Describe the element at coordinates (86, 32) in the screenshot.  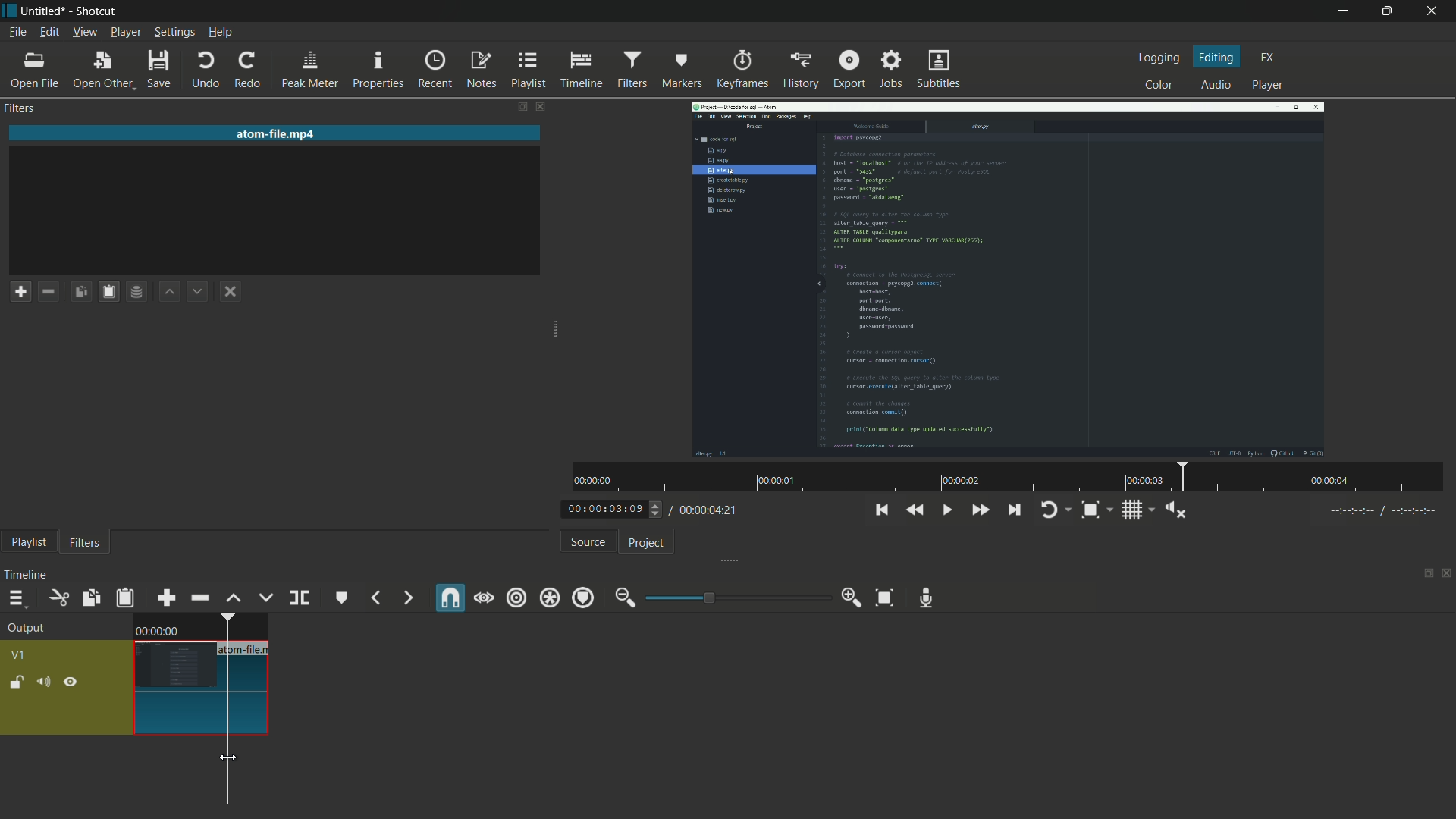
I see `view menu` at that location.